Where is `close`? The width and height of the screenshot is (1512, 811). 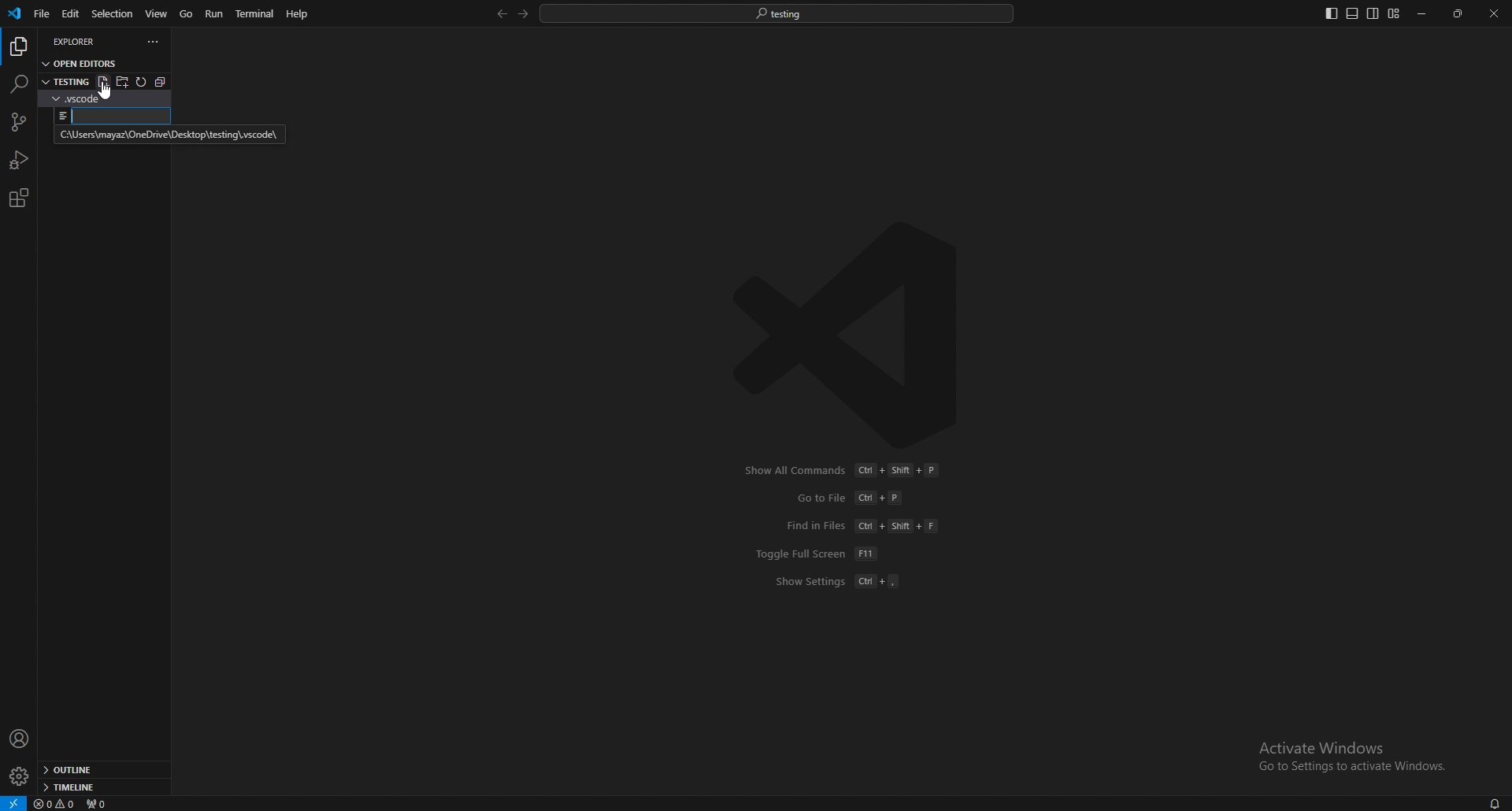
close is located at coordinates (1494, 13).